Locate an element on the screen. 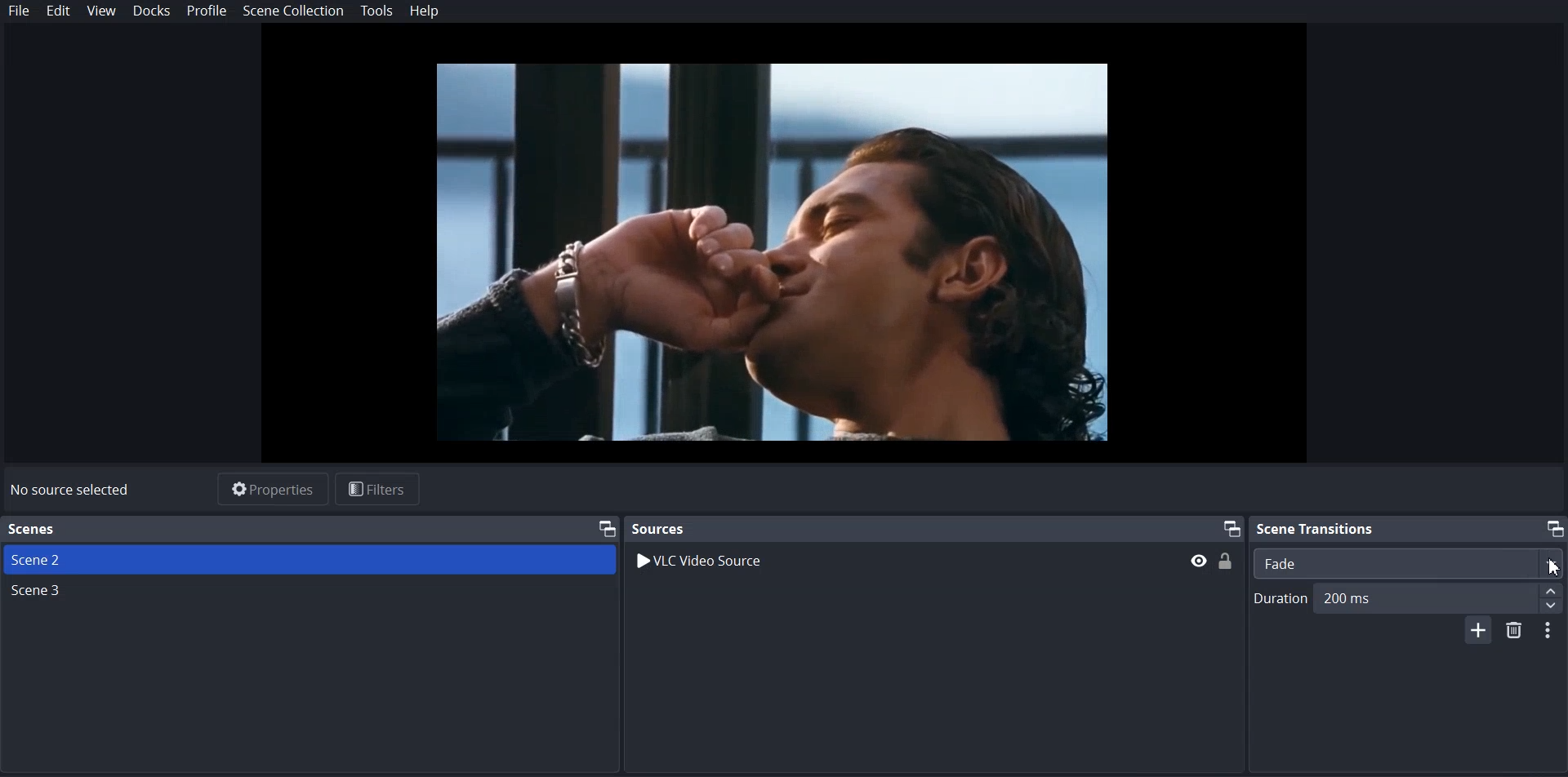  Scene Collection is located at coordinates (294, 12).